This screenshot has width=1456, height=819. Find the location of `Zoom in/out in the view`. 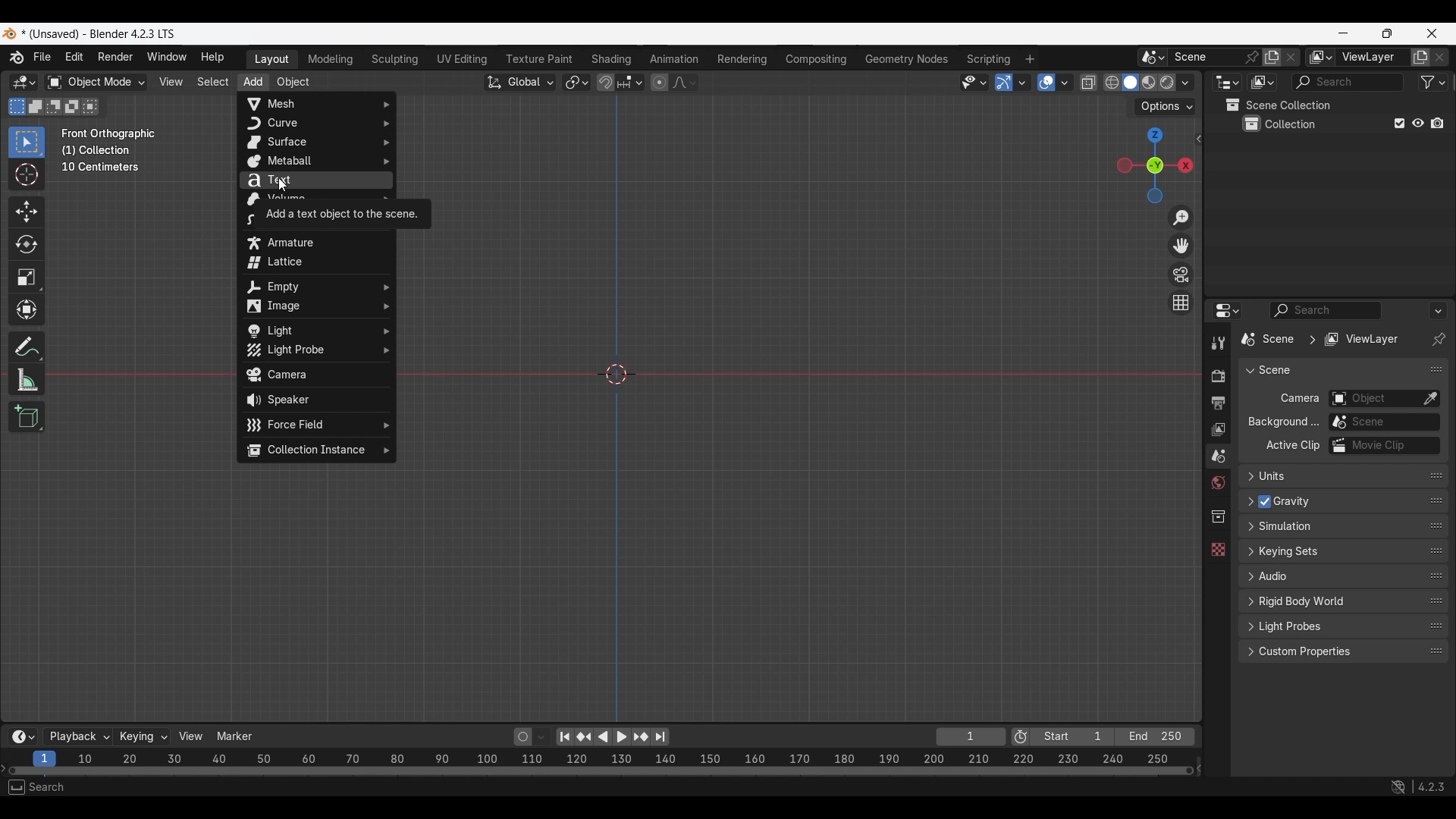

Zoom in/out in the view is located at coordinates (1180, 218).